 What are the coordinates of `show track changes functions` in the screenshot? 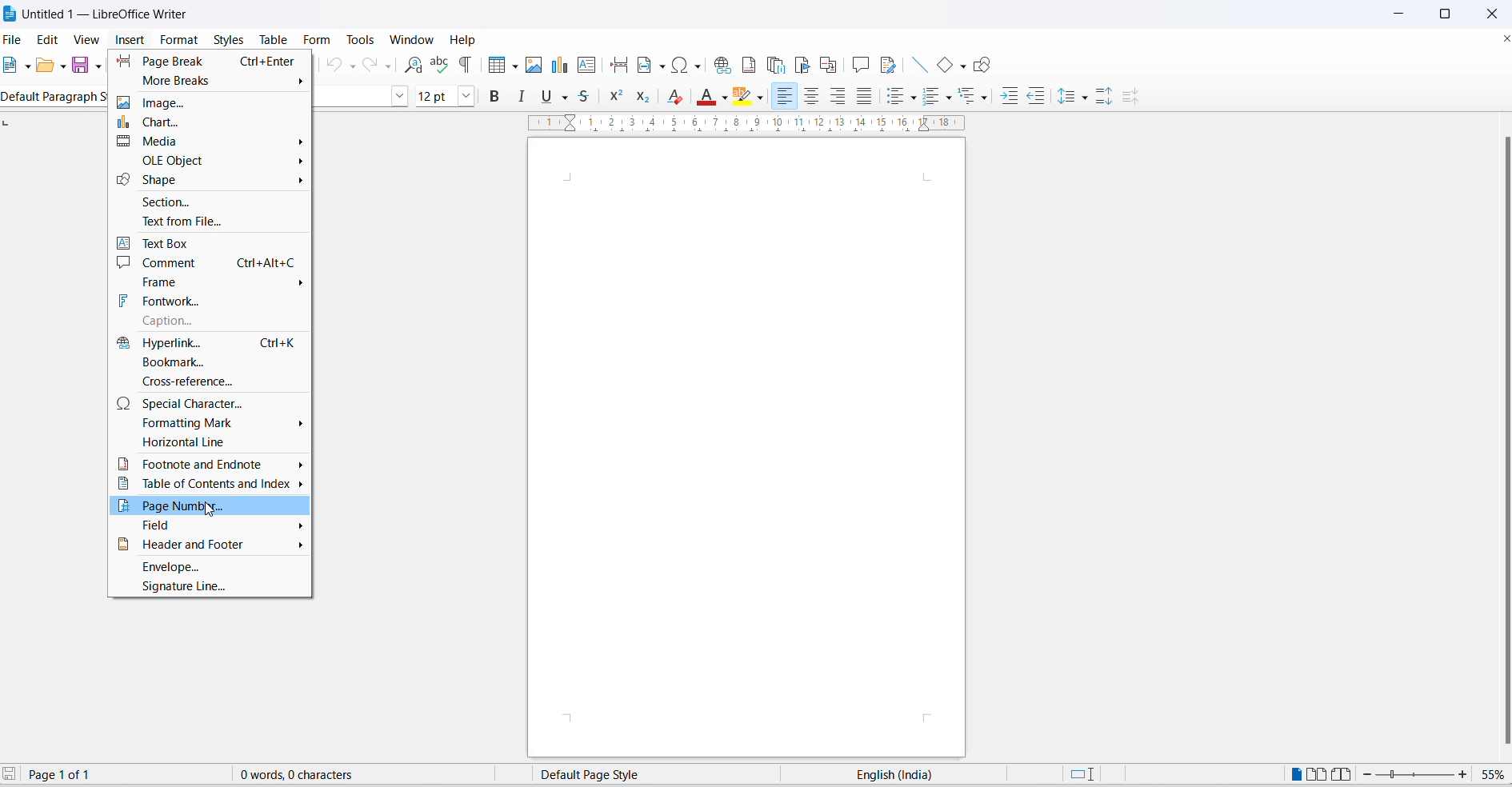 It's located at (892, 65).